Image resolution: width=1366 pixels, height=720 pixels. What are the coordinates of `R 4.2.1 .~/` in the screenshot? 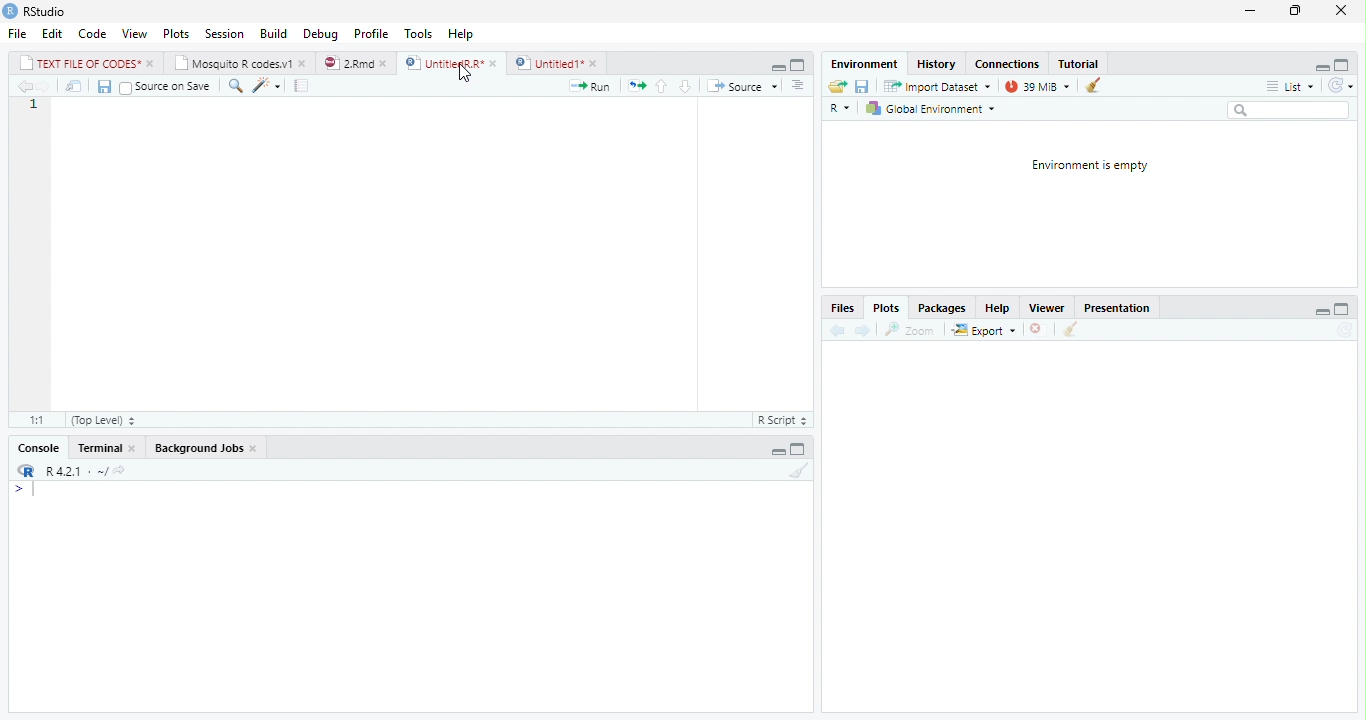 It's located at (74, 470).